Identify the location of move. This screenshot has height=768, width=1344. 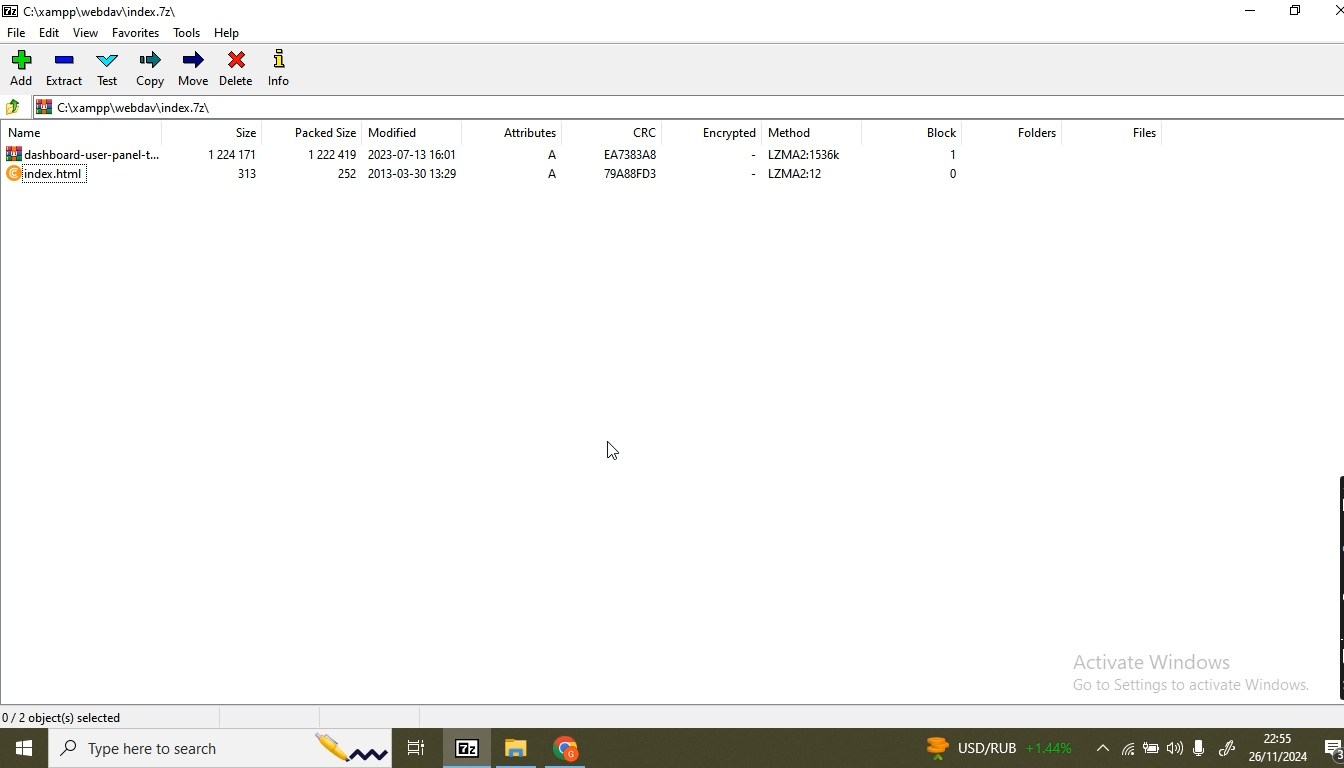
(194, 68).